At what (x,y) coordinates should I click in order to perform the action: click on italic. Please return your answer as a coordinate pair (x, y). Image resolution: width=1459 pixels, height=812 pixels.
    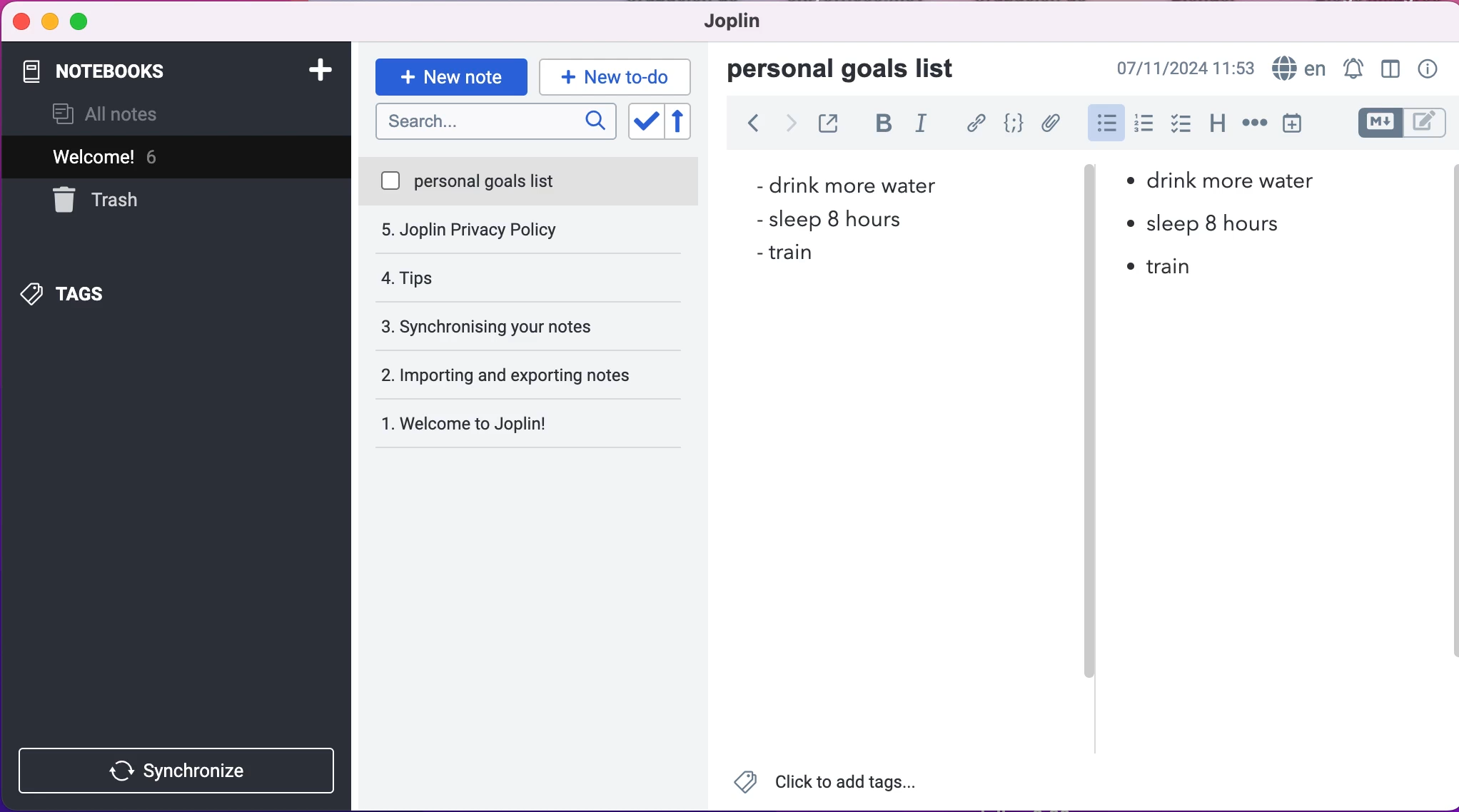
    Looking at the image, I should click on (924, 127).